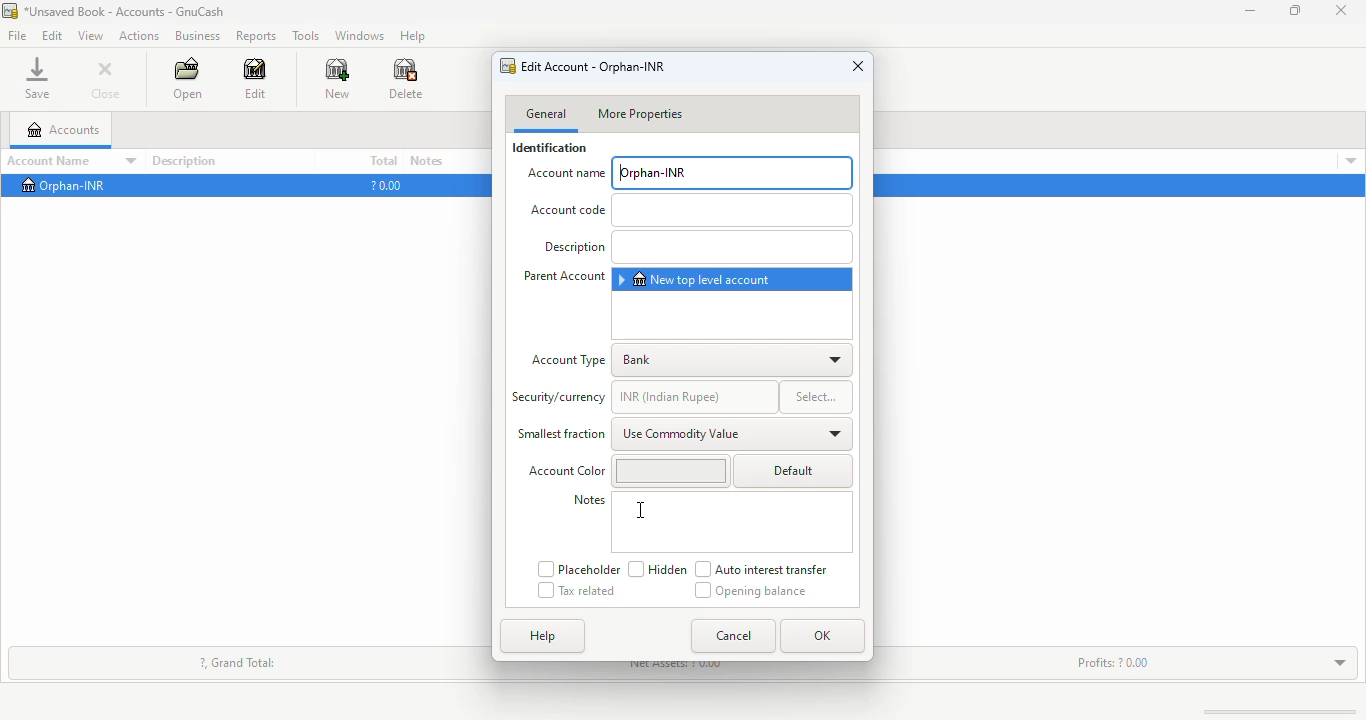 The height and width of the screenshot is (720, 1366). I want to click on notes, so click(427, 160).